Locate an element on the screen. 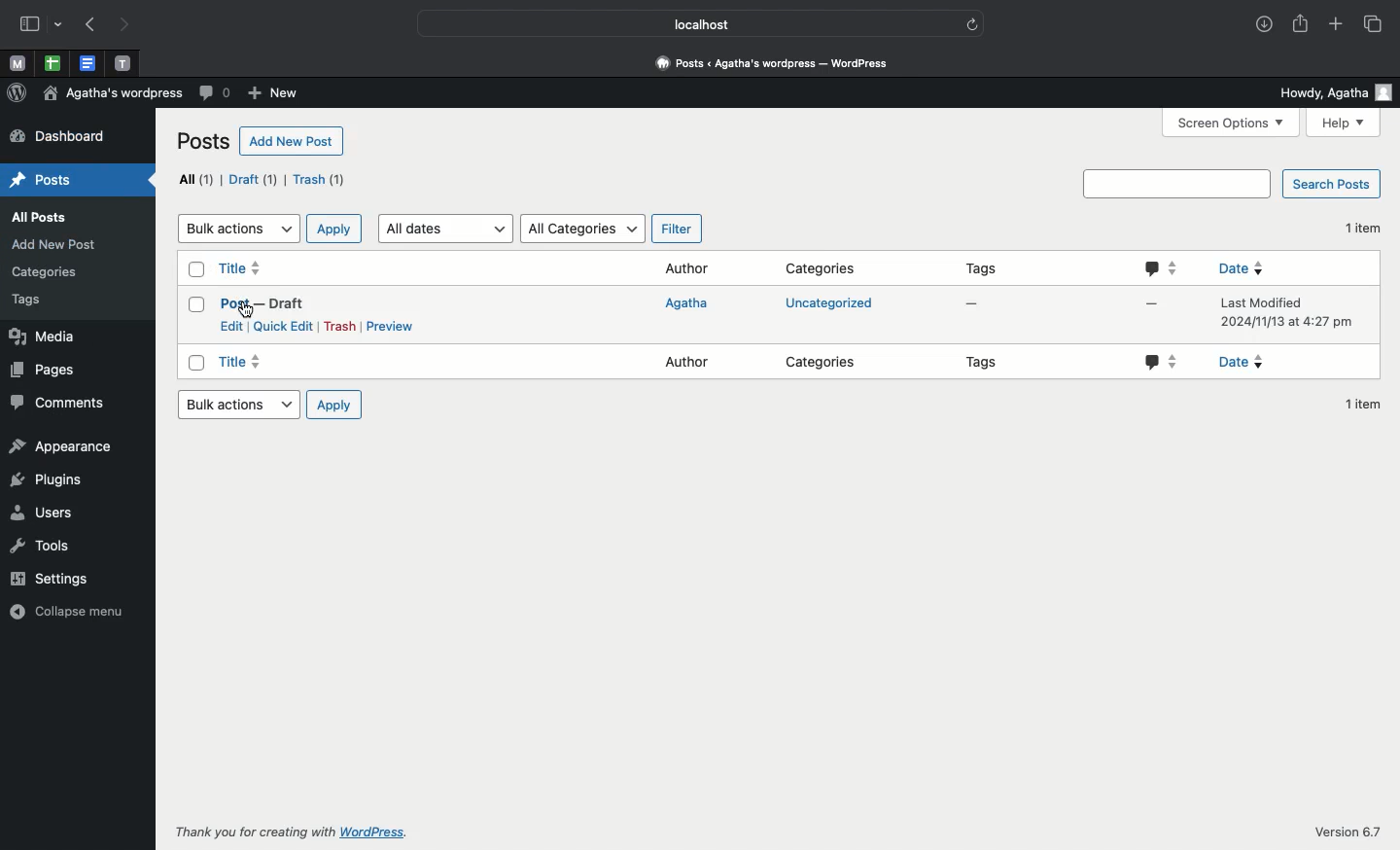  spread sheet is located at coordinates (52, 63).